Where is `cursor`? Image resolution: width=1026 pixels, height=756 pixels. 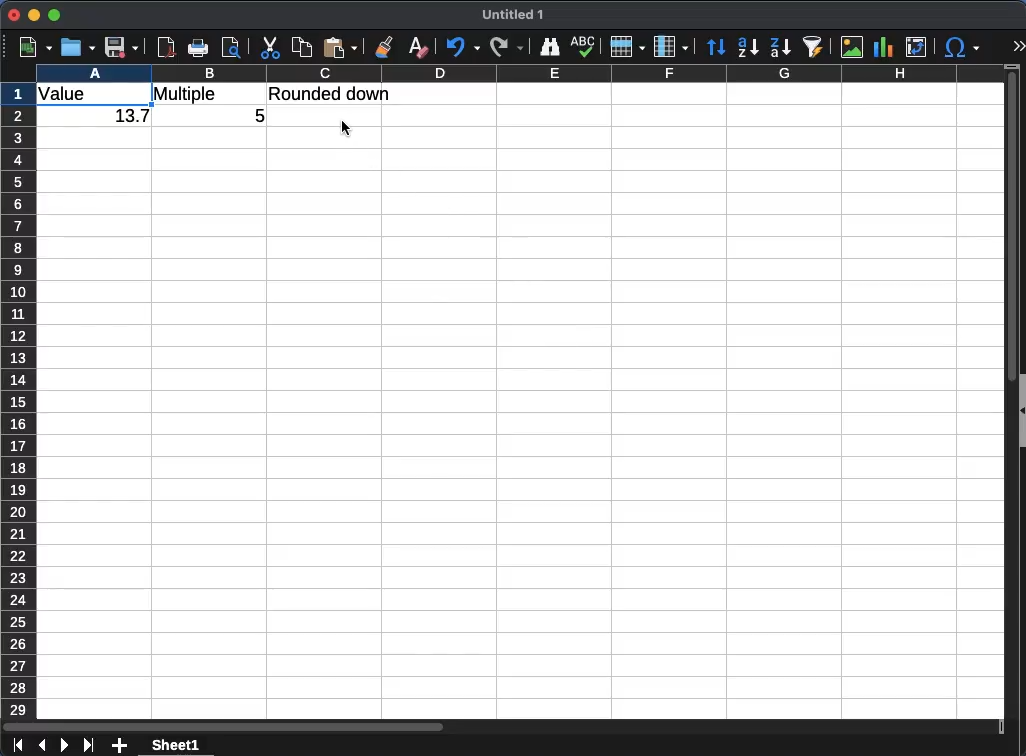 cursor is located at coordinates (346, 127).